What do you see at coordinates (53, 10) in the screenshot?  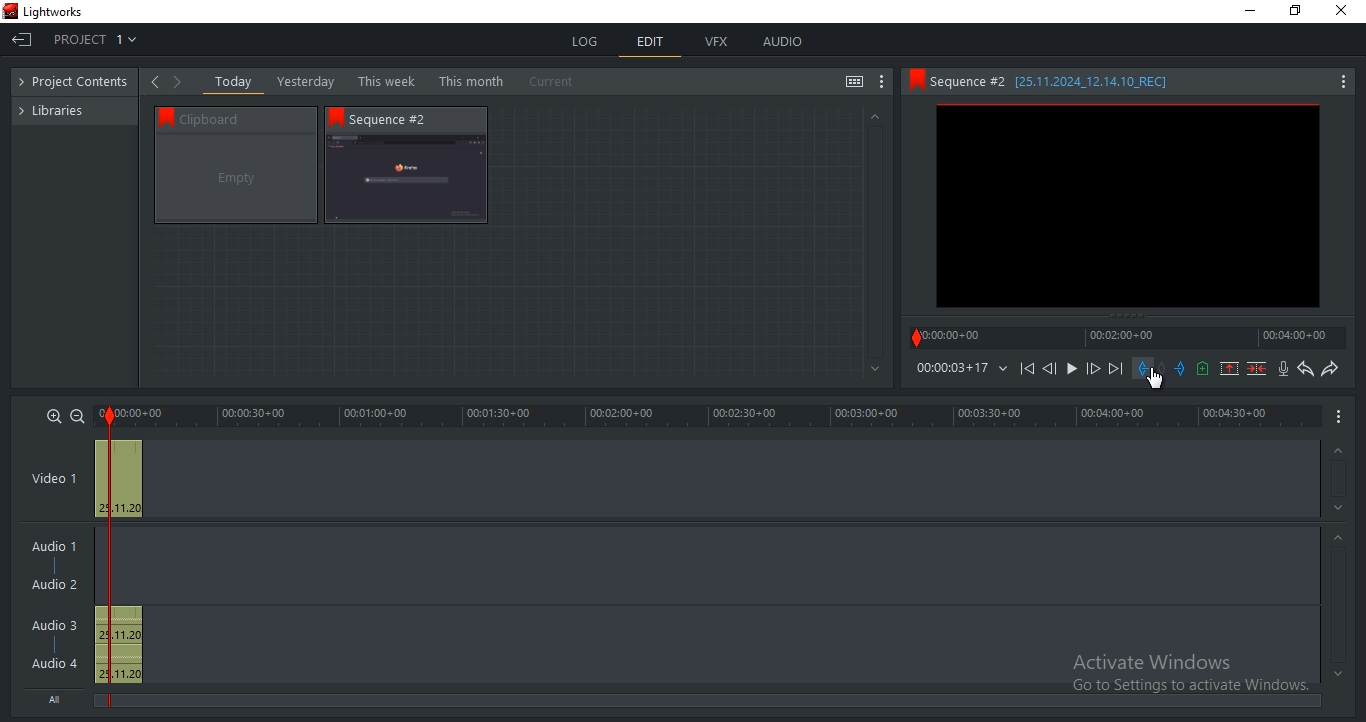 I see `Lightworks` at bounding box center [53, 10].